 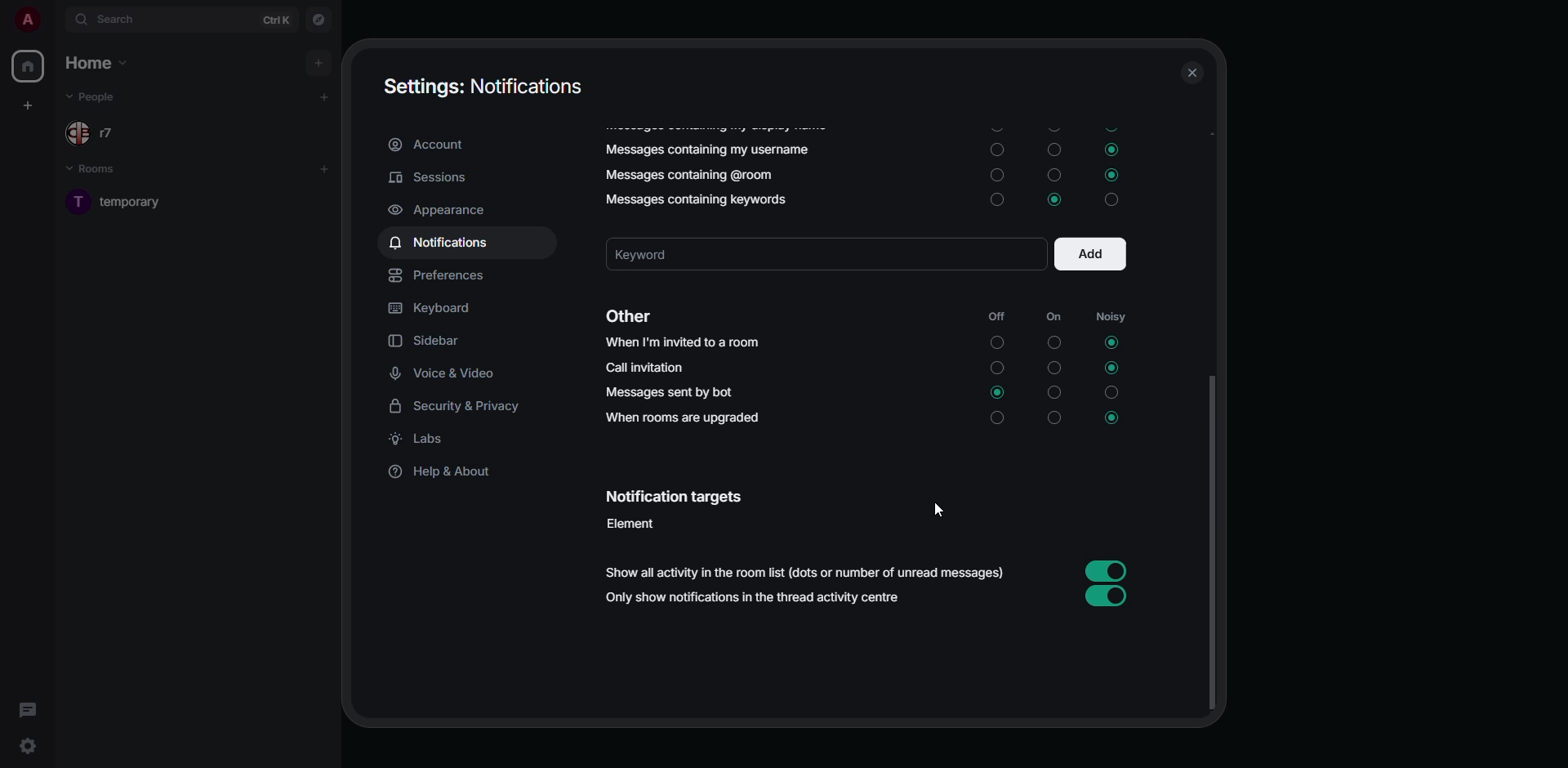 I want to click on Off, so click(x=994, y=127).